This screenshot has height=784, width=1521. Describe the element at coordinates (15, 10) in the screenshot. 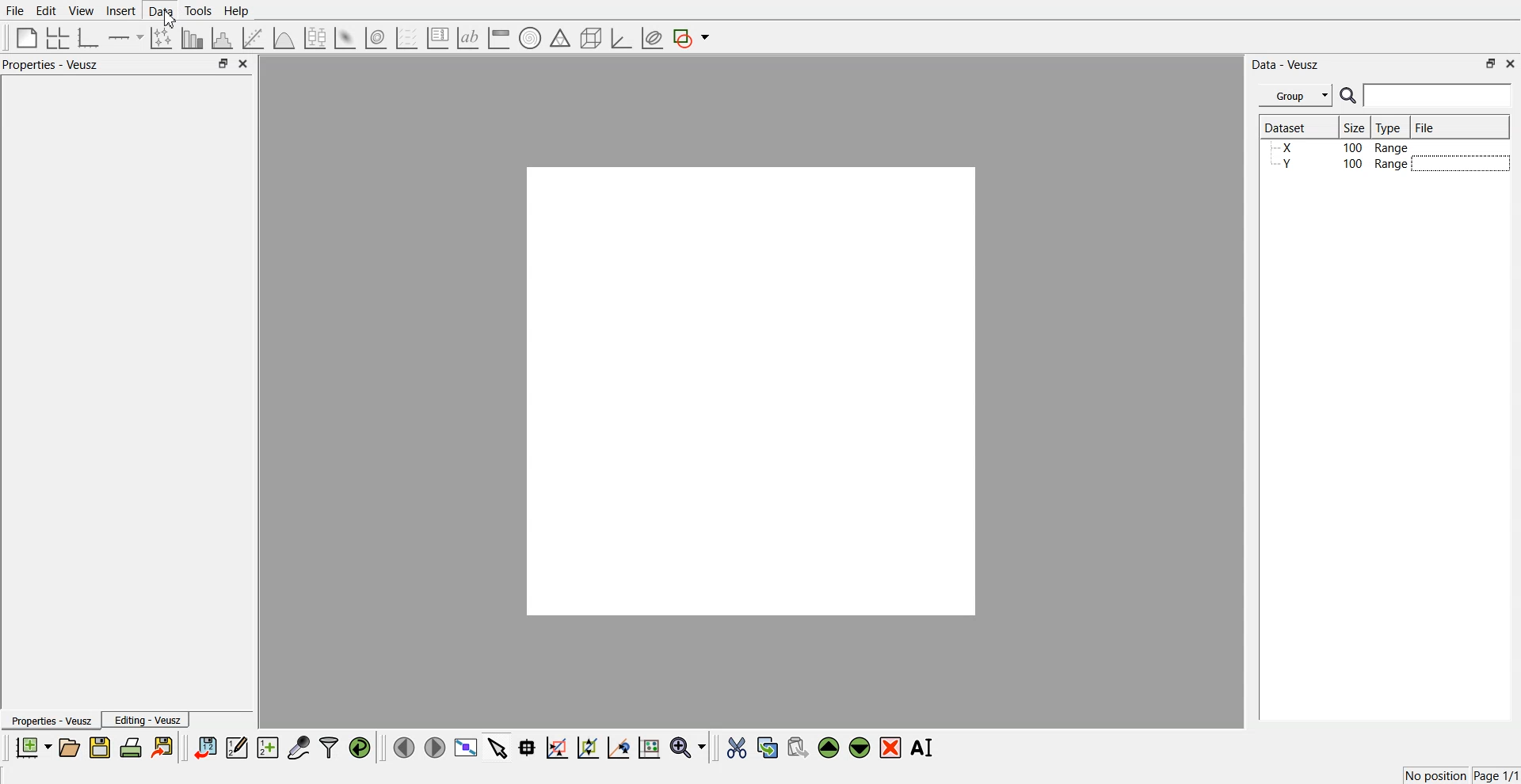

I see `File` at that location.